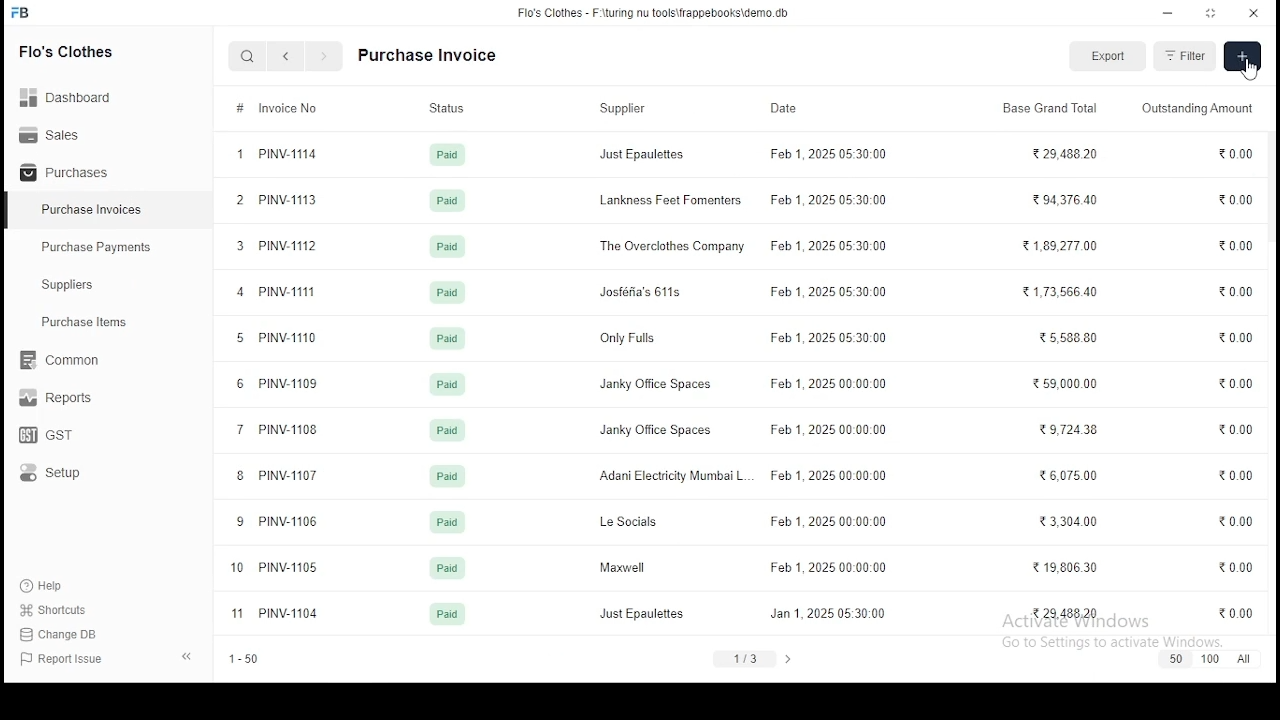 This screenshot has height=720, width=1280. What do you see at coordinates (64, 660) in the screenshot?
I see `report issue` at bounding box center [64, 660].